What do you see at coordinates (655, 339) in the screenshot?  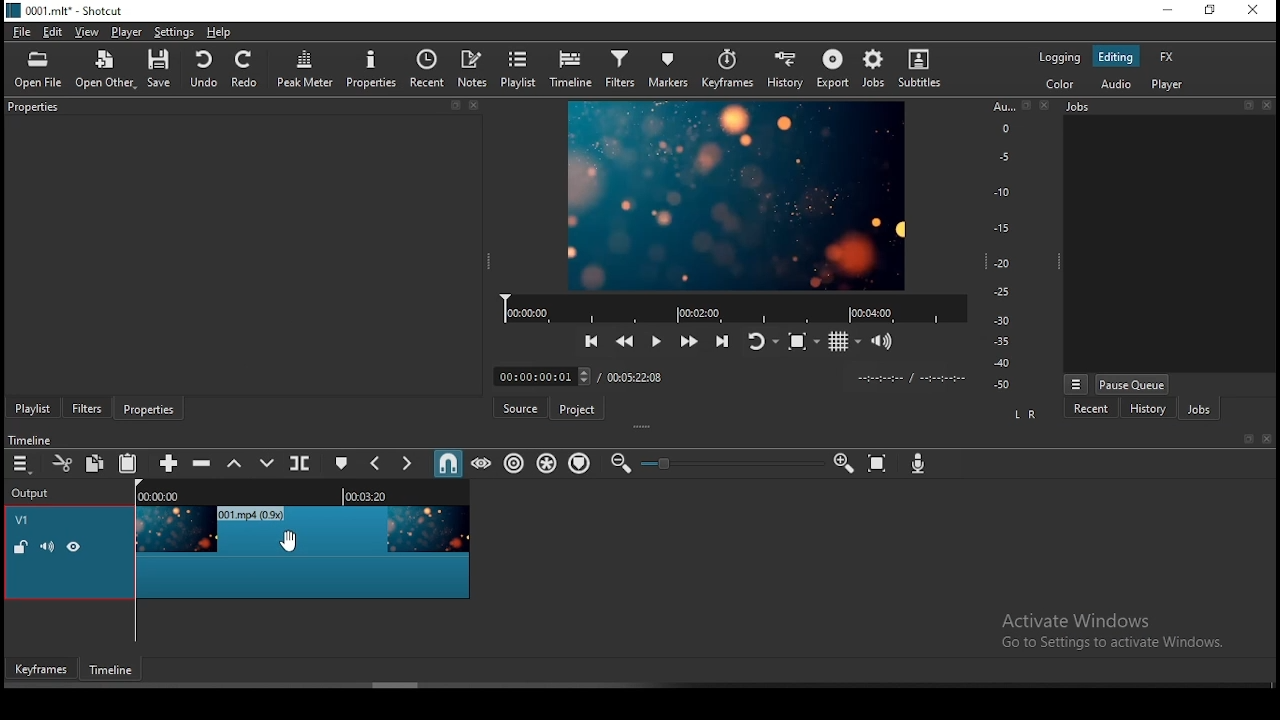 I see `` at bounding box center [655, 339].